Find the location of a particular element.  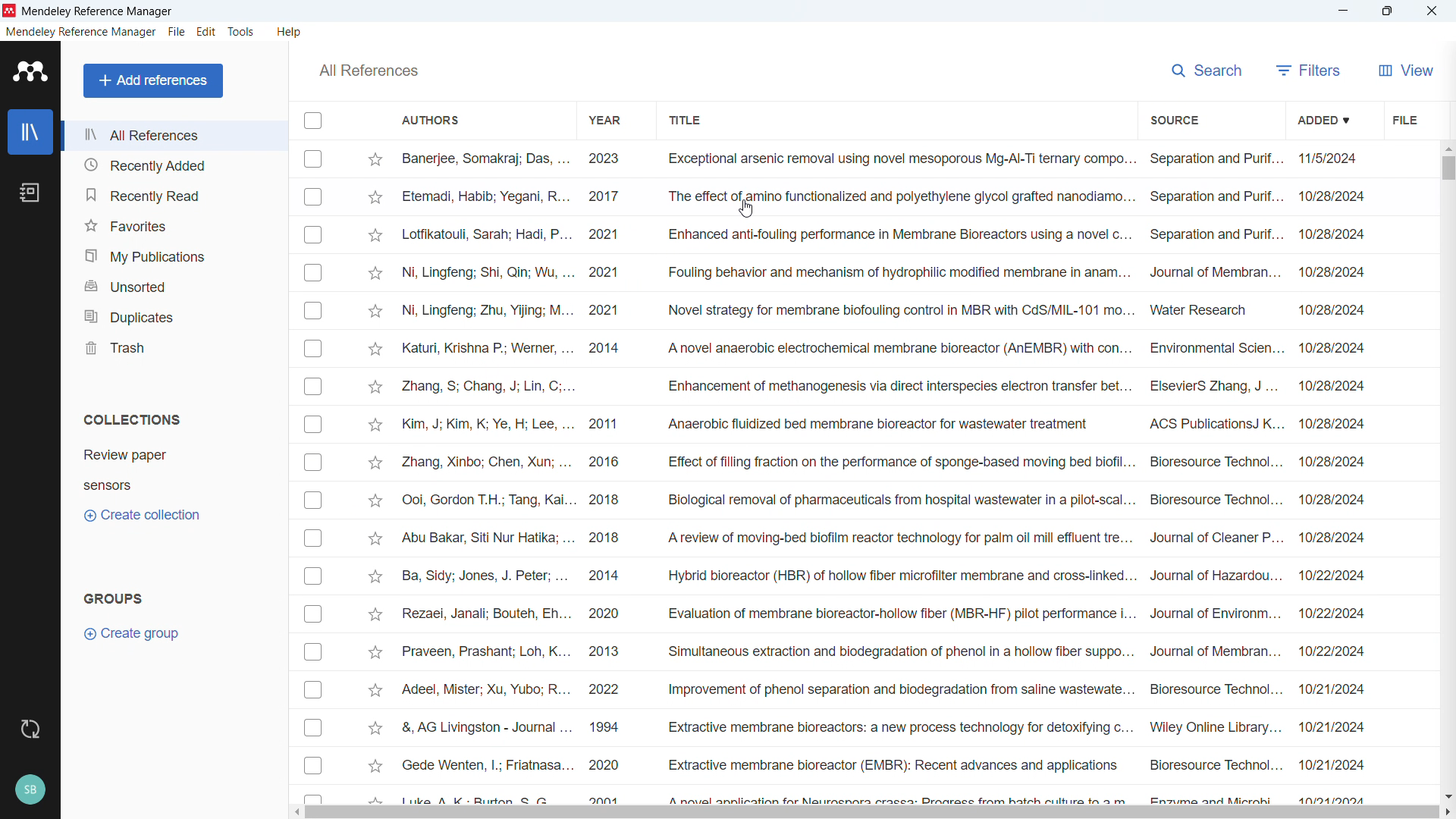

Cursor  is located at coordinates (748, 209).